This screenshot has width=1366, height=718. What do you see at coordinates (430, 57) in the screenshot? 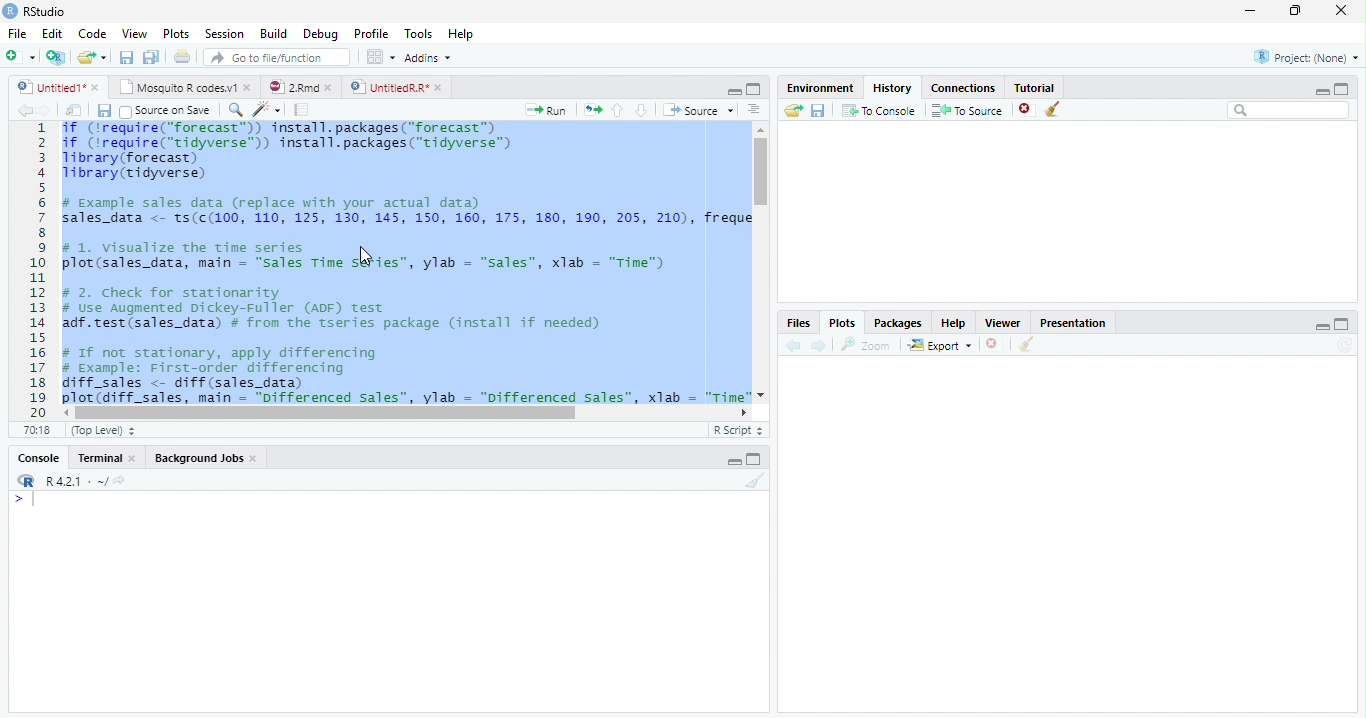
I see `Addins` at bounding box center [430, 57].